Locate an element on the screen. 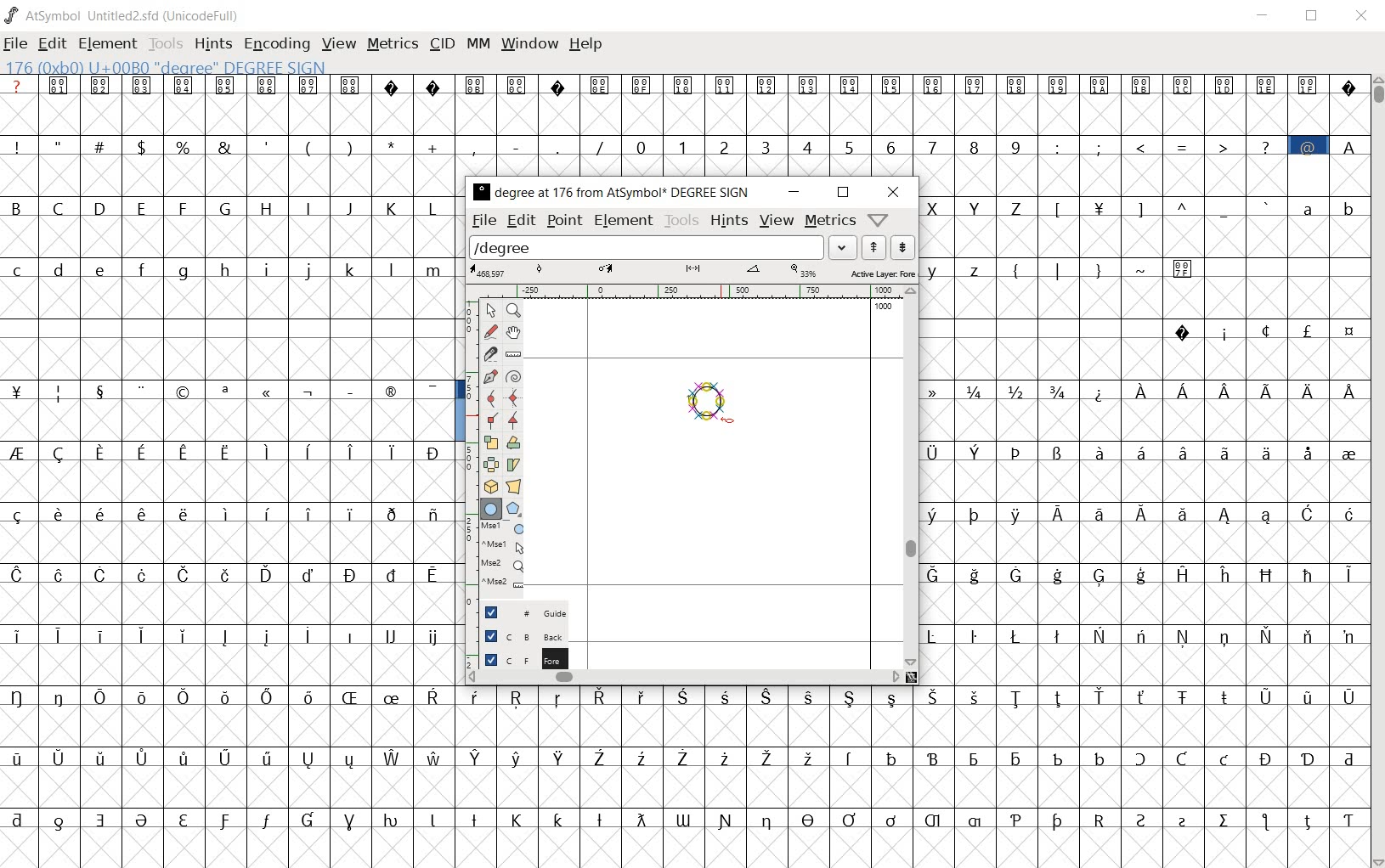 Image resolution: width=1385 pixels, height=868 pixels. cid is located at coordinates (443, 44).